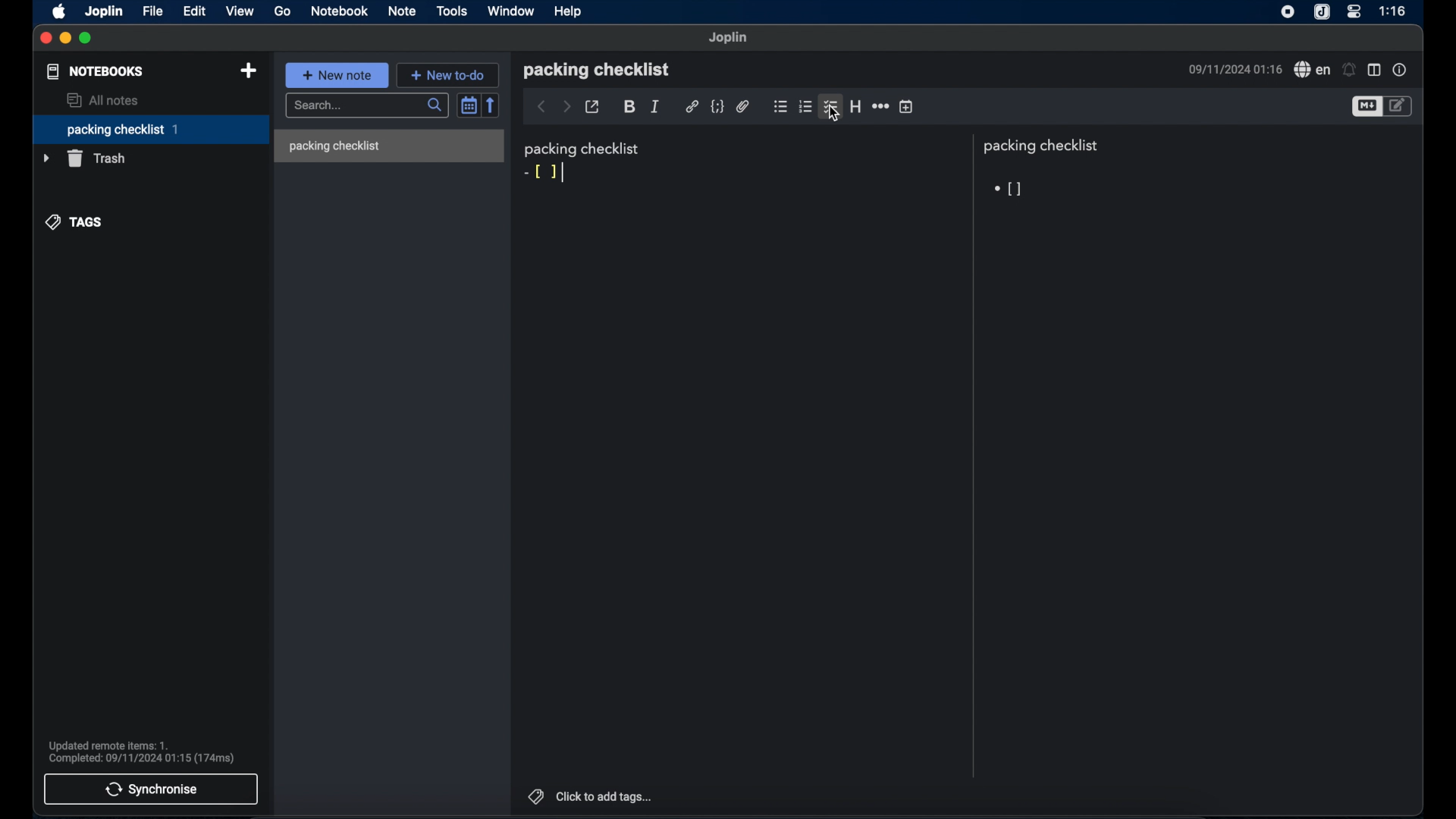 This screenshot has width=1456, height=819. I want to click on notebooks, so click(95, 71).